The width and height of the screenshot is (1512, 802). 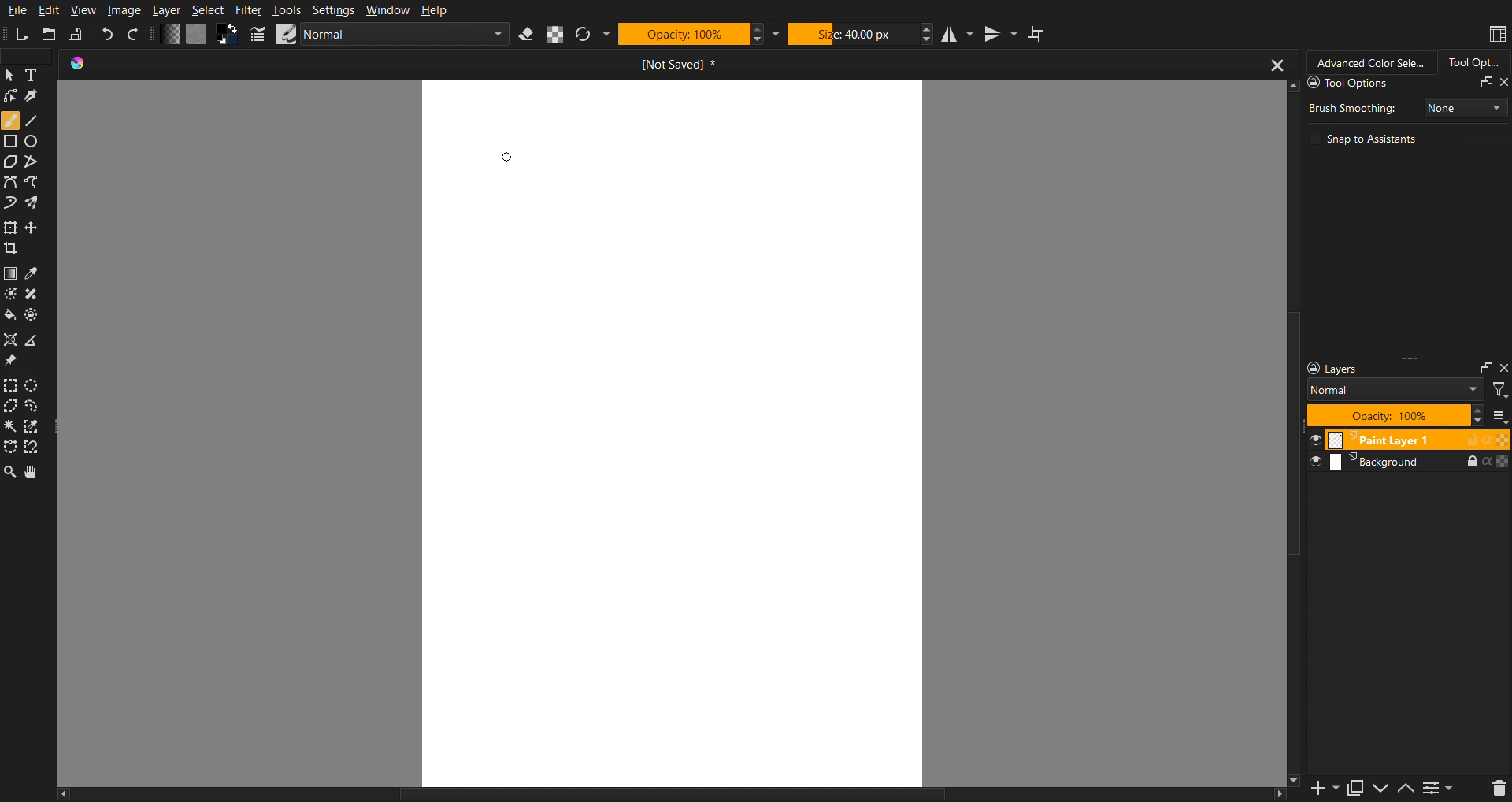 I want to click on Copy, so click(x=1357, y=789).